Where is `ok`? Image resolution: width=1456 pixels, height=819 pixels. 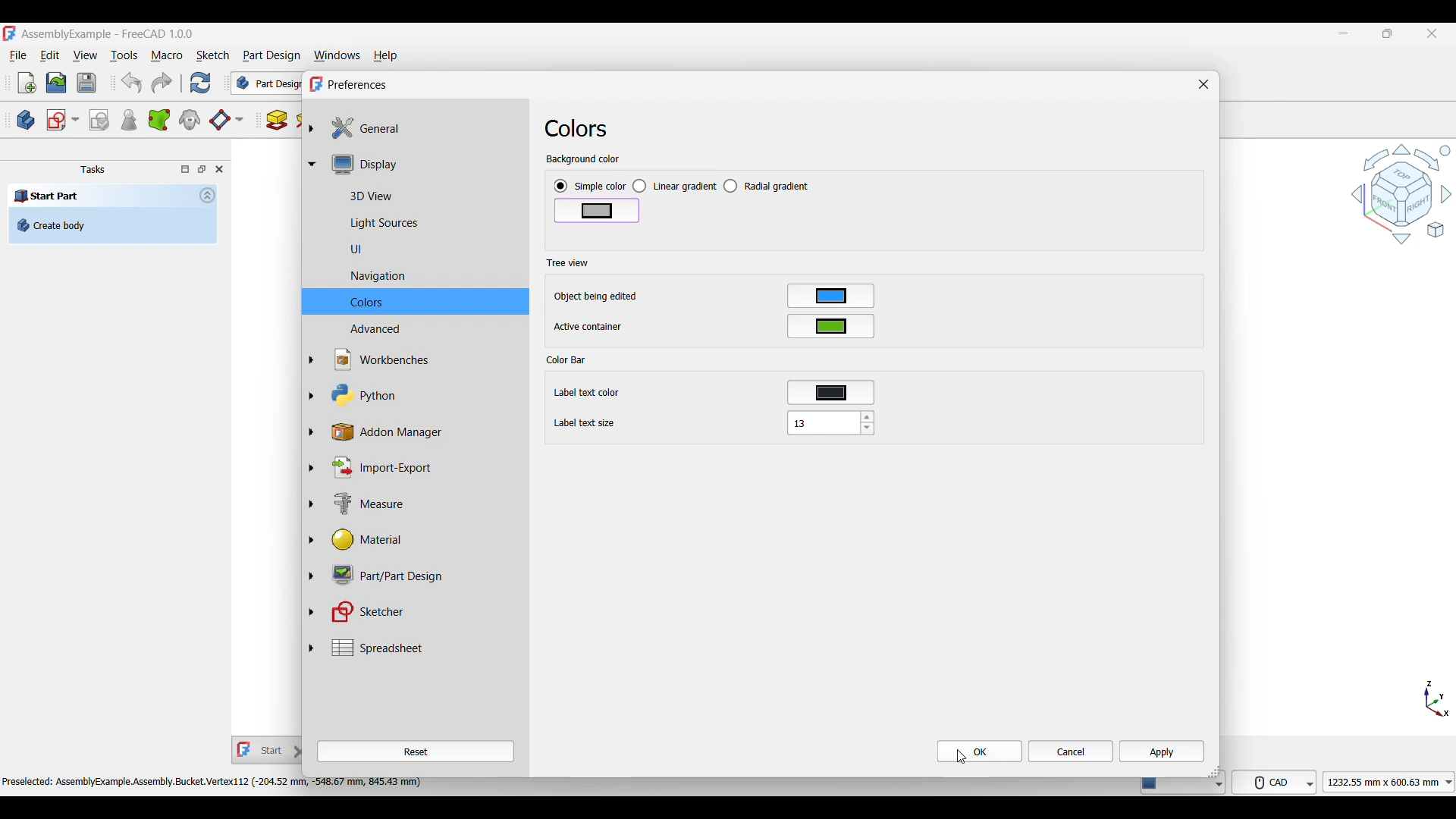
ok is located at coordinates (983, 749).